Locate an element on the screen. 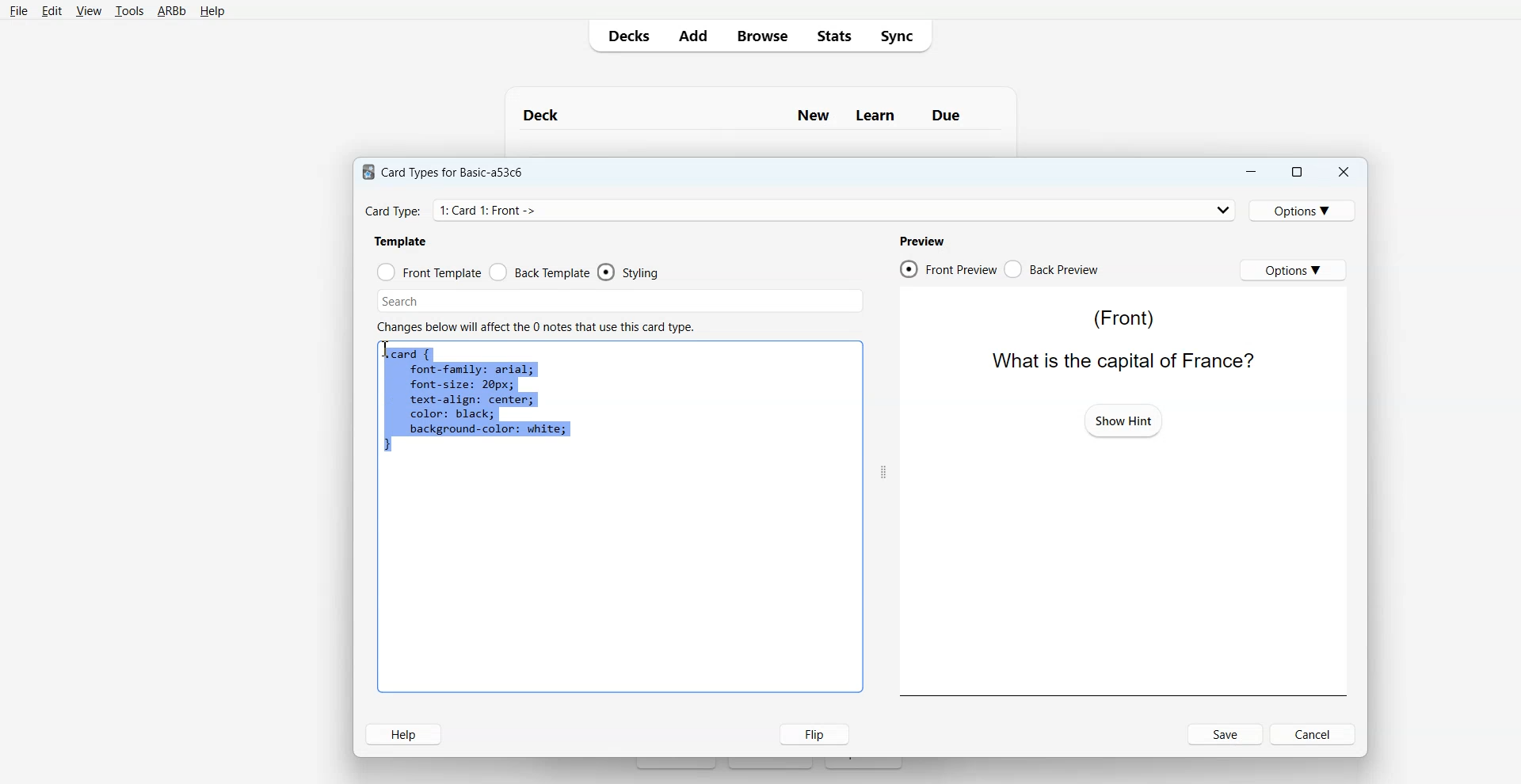 Image resolution: width=1521 pixels, height=784 pixels. Back Template is located at coordinates (539, 272).